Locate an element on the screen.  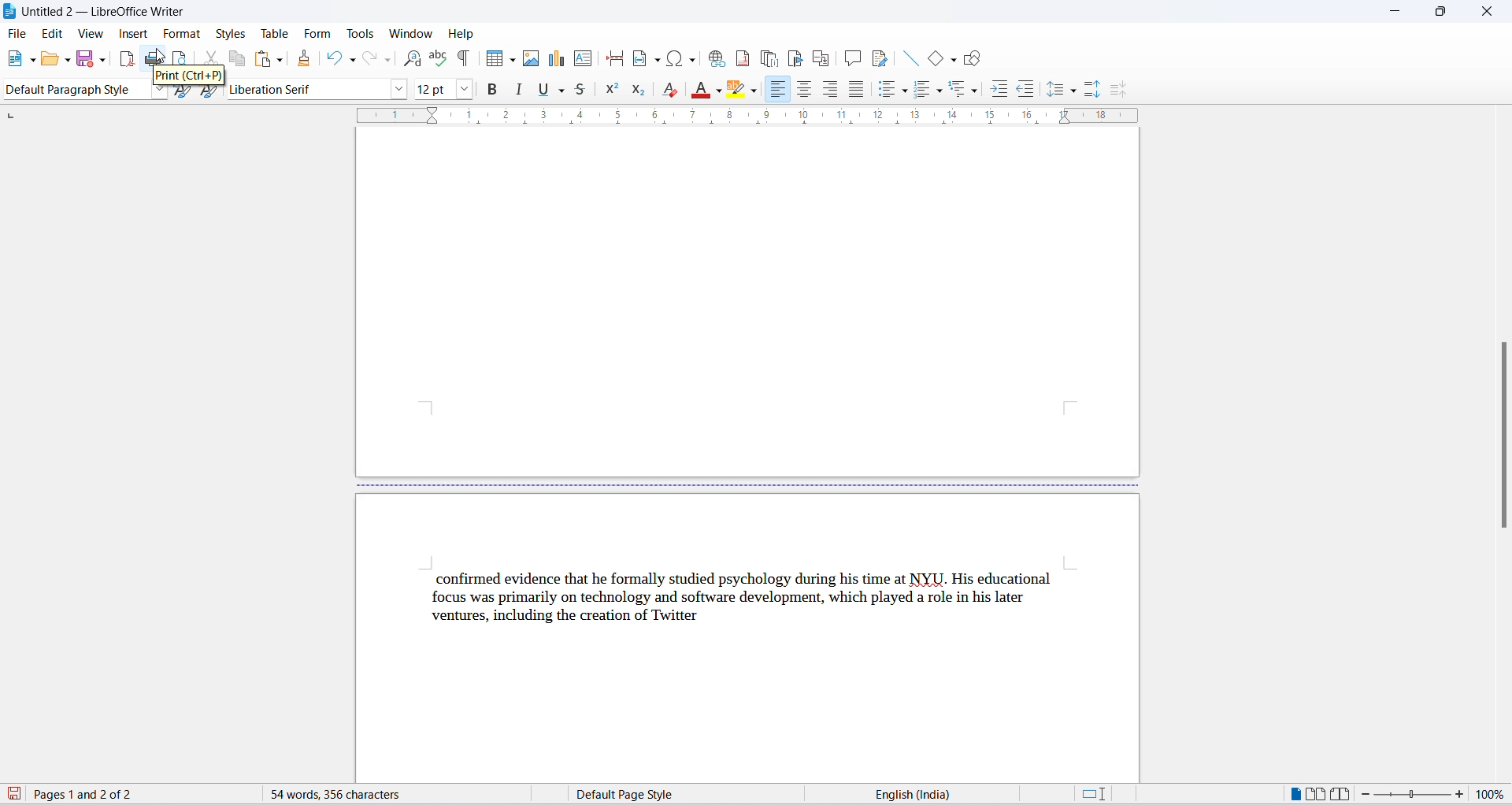
font color is located at coordinates (696, 90).